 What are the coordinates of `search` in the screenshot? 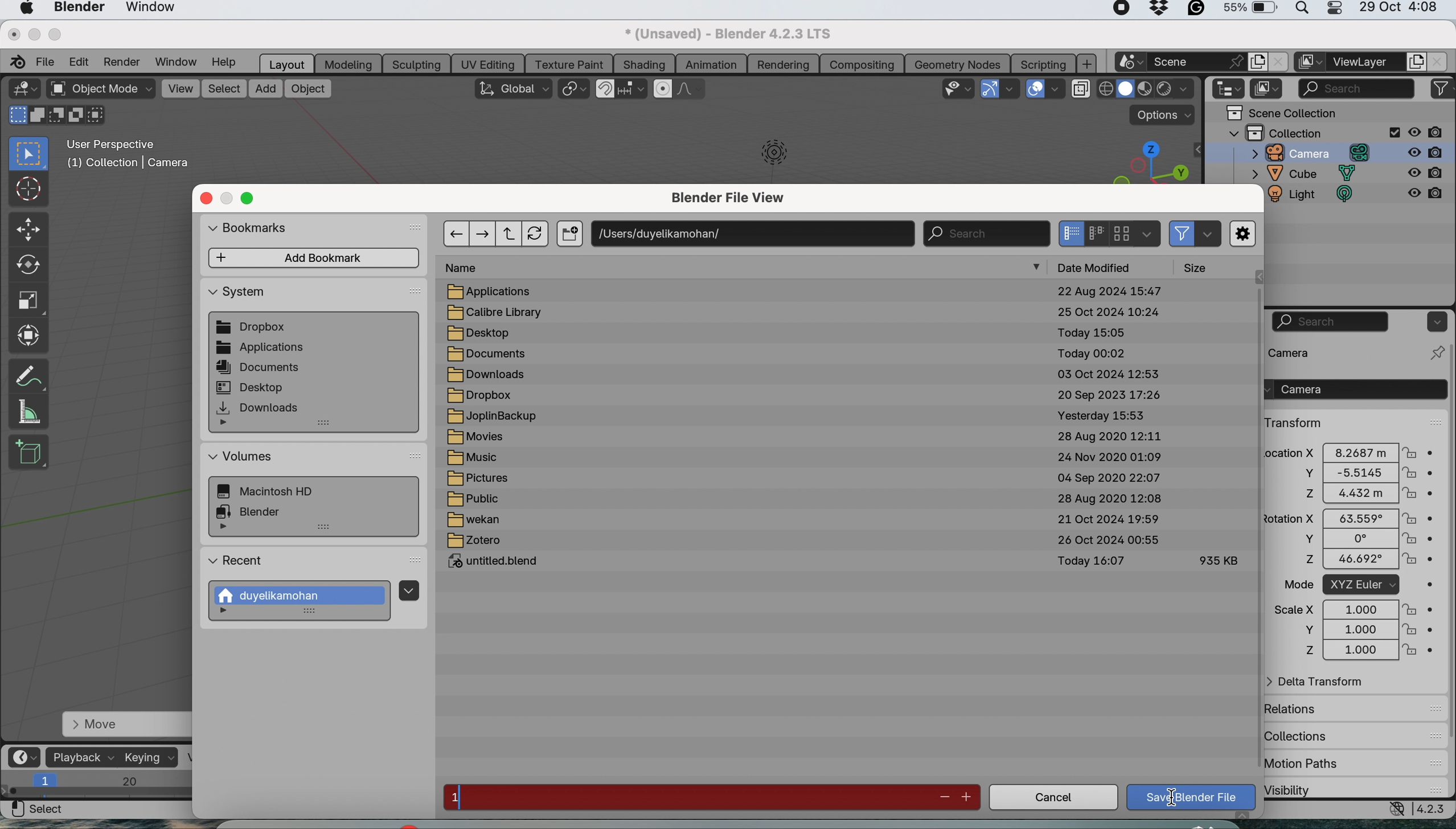 It's located at (1356, 87).